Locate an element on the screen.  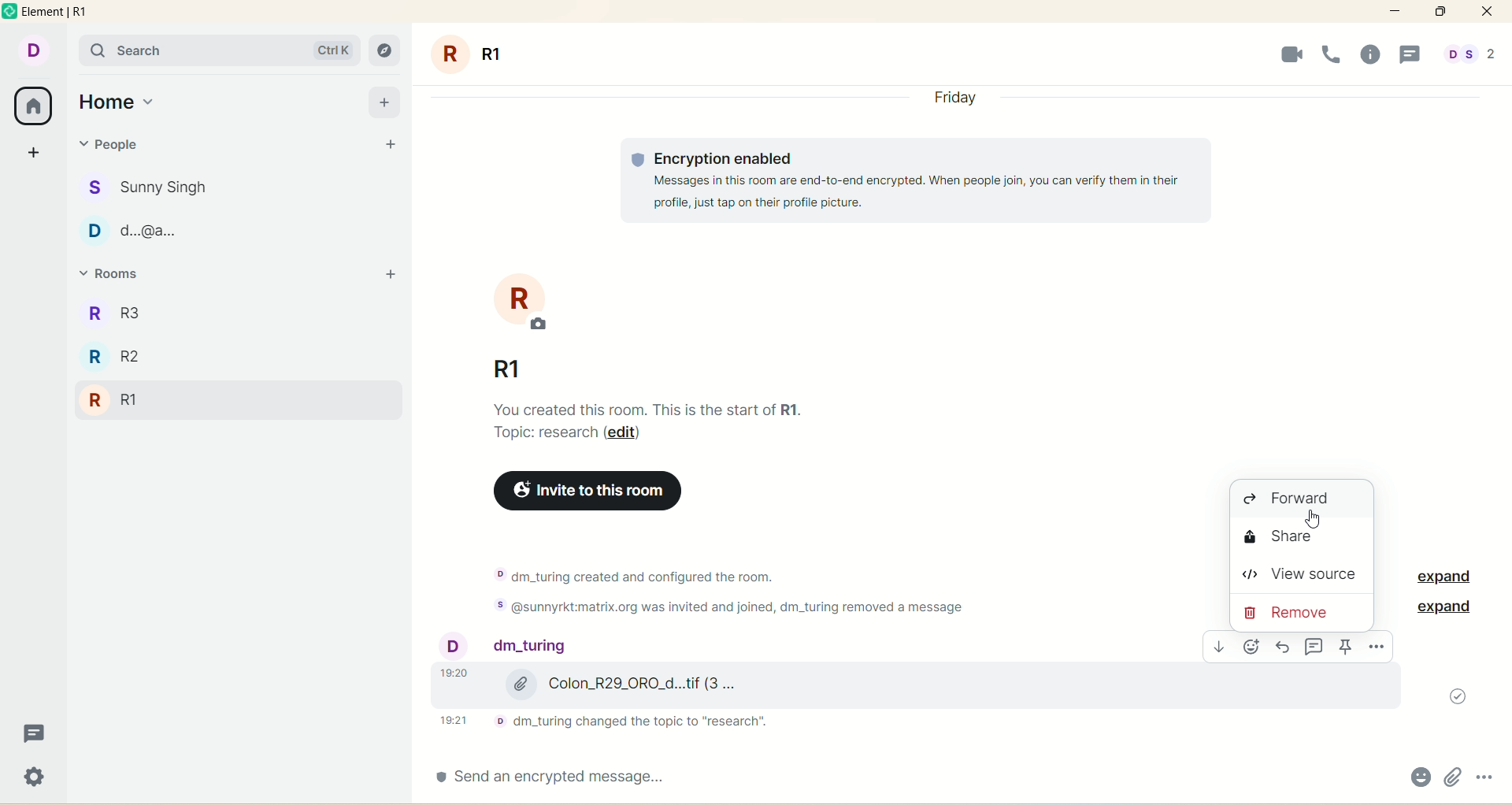
options is located at coordinates (1379, 647).